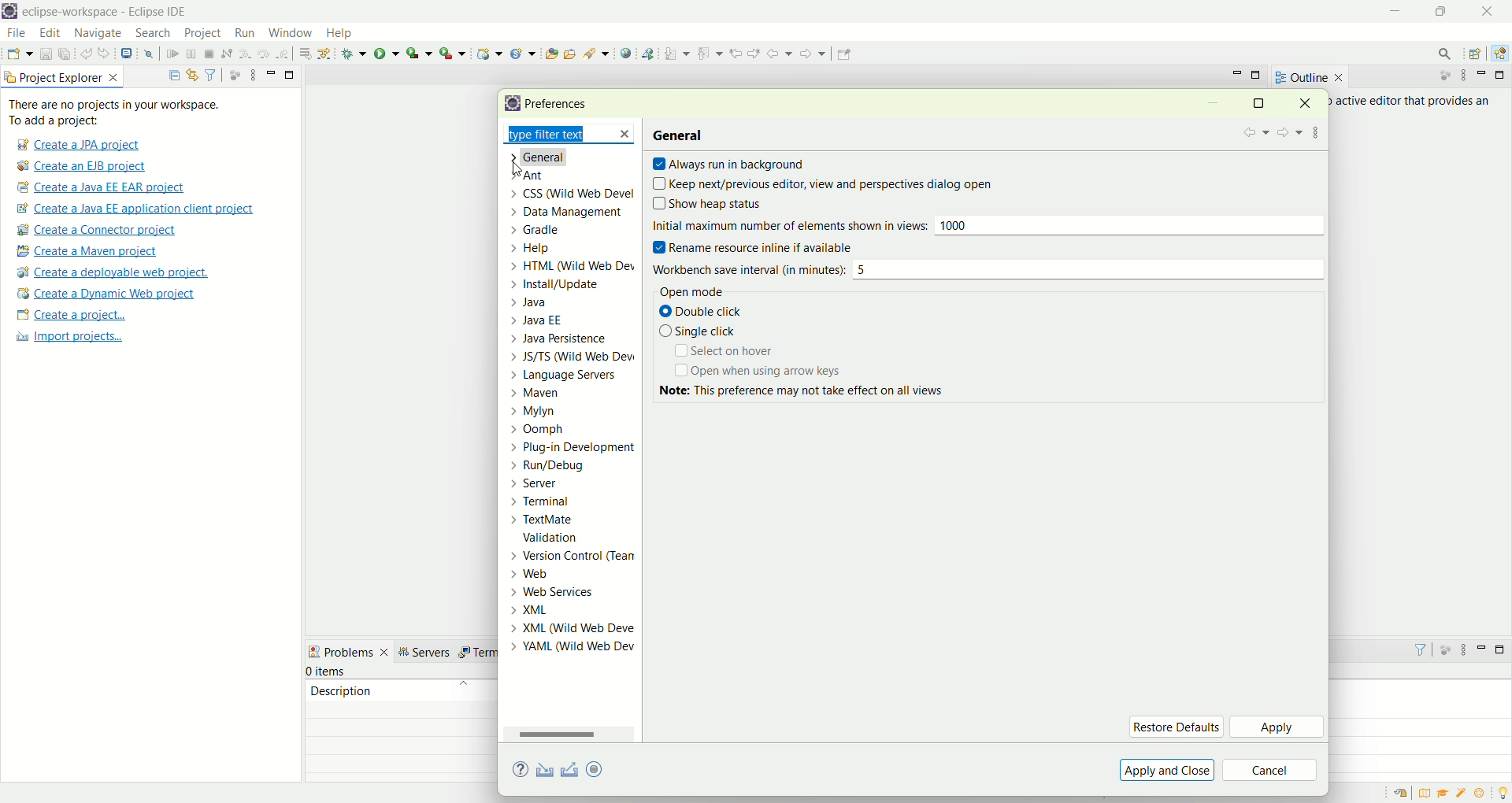 The image size is (1512, 803). I want to click on cursor, so click(514, 168).